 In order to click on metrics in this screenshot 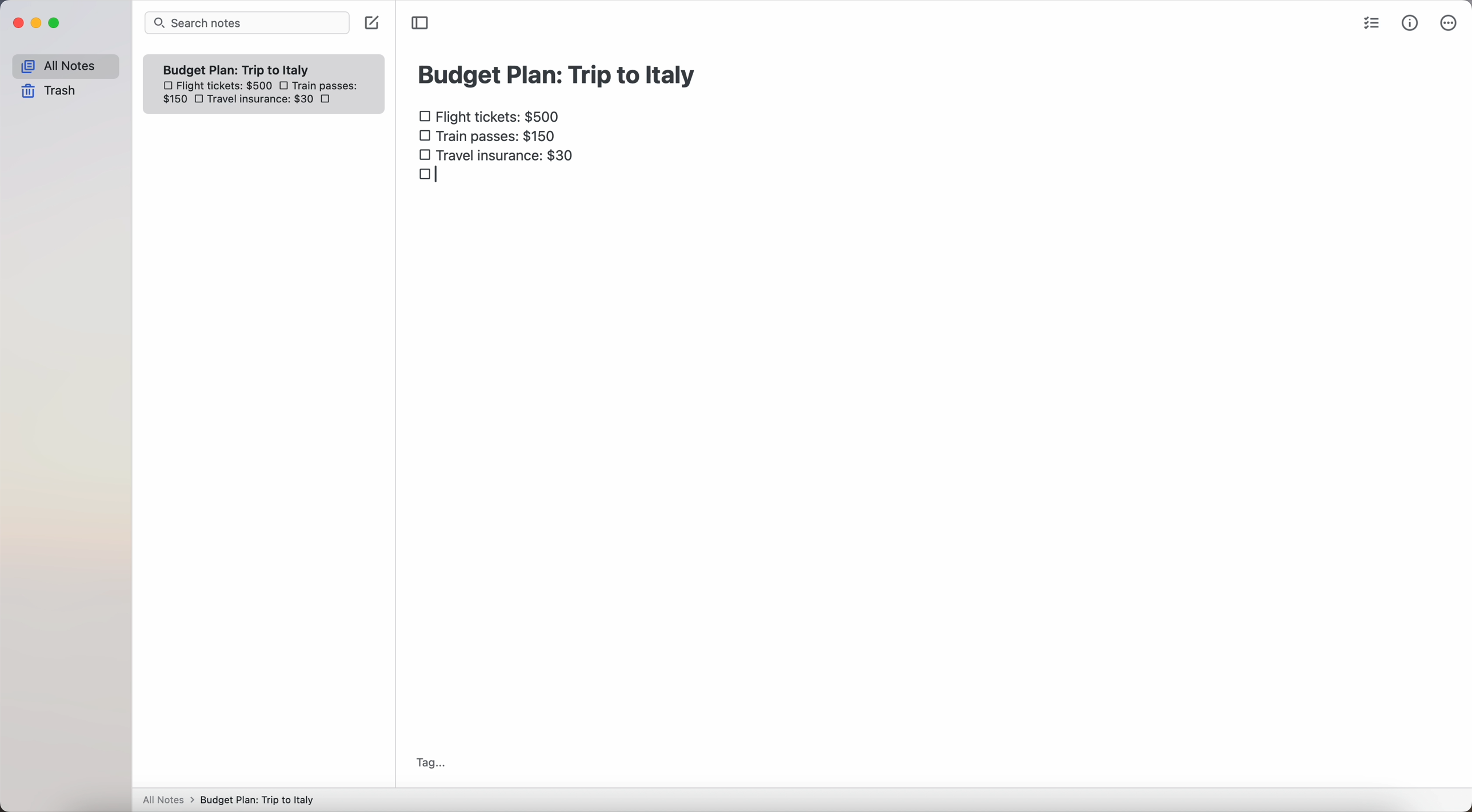, I will do `click(1410, 25)`.